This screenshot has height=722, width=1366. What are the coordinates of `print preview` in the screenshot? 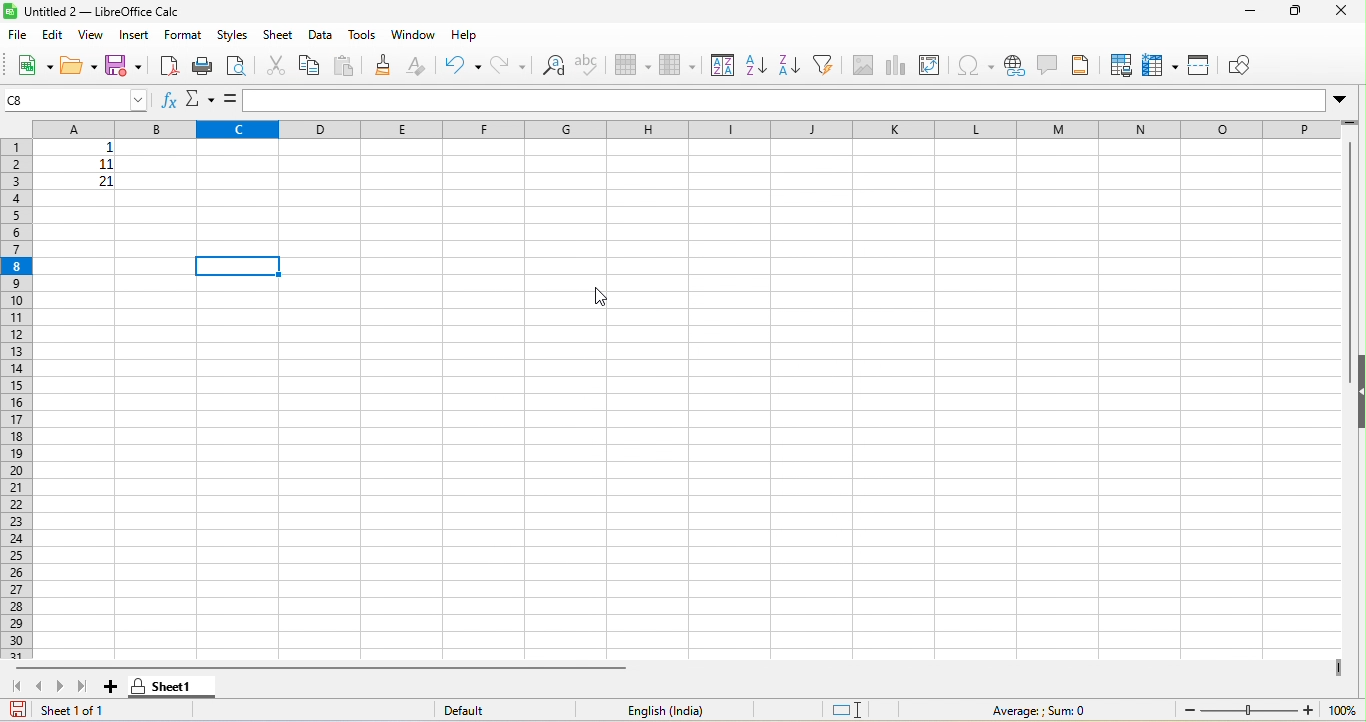 It's located at (236, 65).